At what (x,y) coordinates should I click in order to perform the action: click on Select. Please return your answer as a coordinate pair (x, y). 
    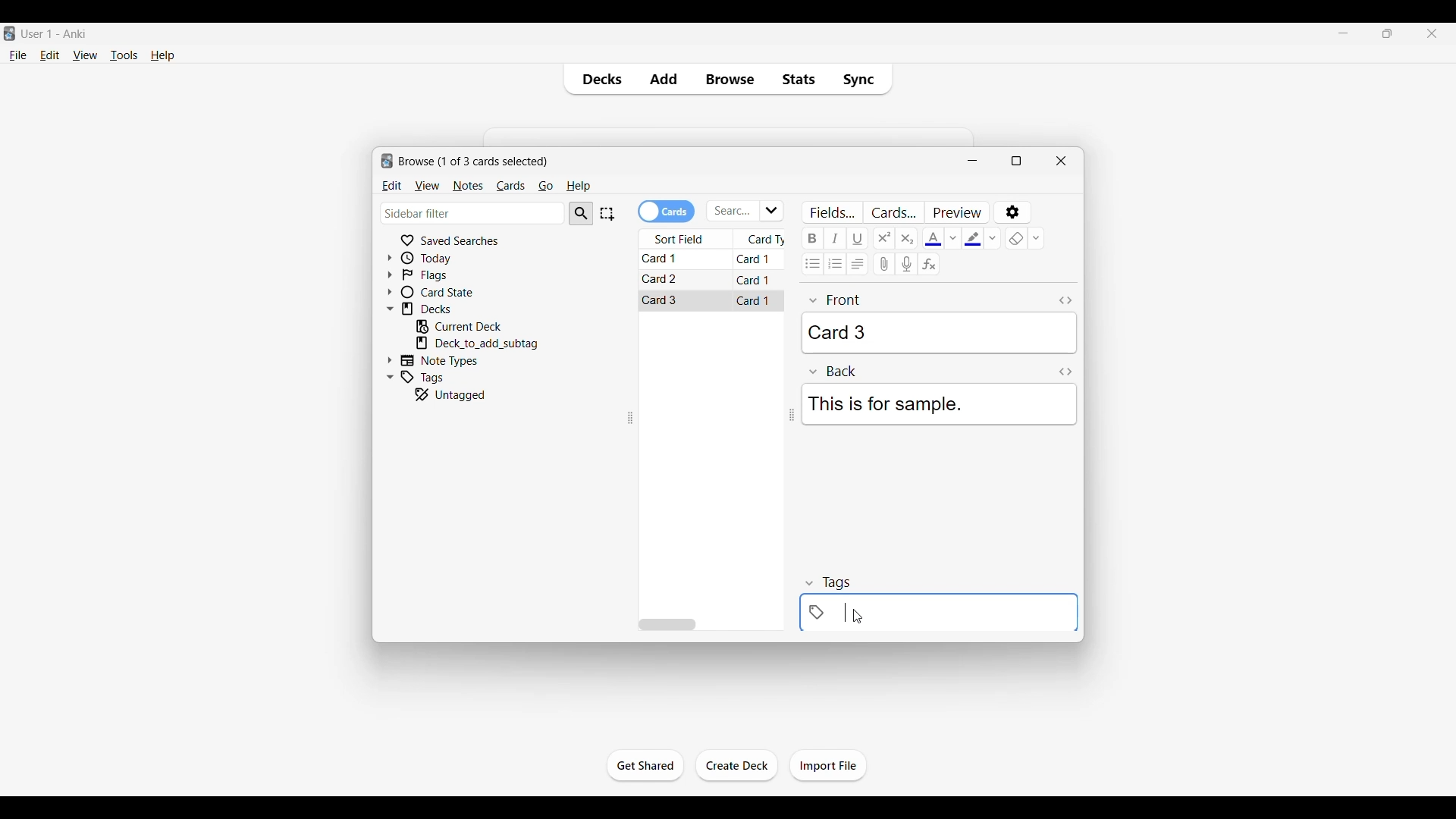
    Looking at the image, I should click on (607, 214).